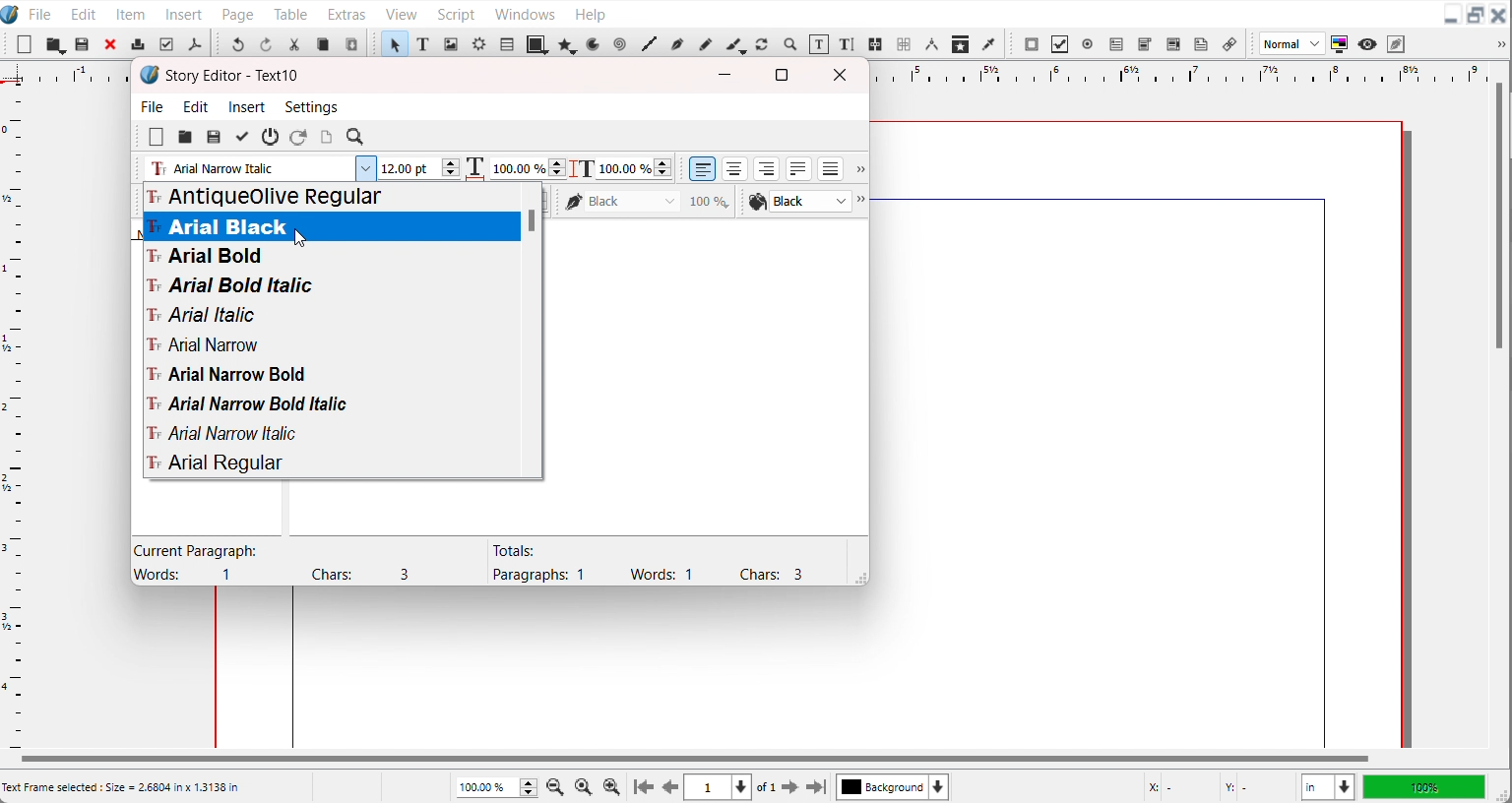 The width and height of the screenshot is (1512, 803). What do you see at coordinates (214, 137) in the screenshot?
I see `Save` at bounding box center [214, 137].